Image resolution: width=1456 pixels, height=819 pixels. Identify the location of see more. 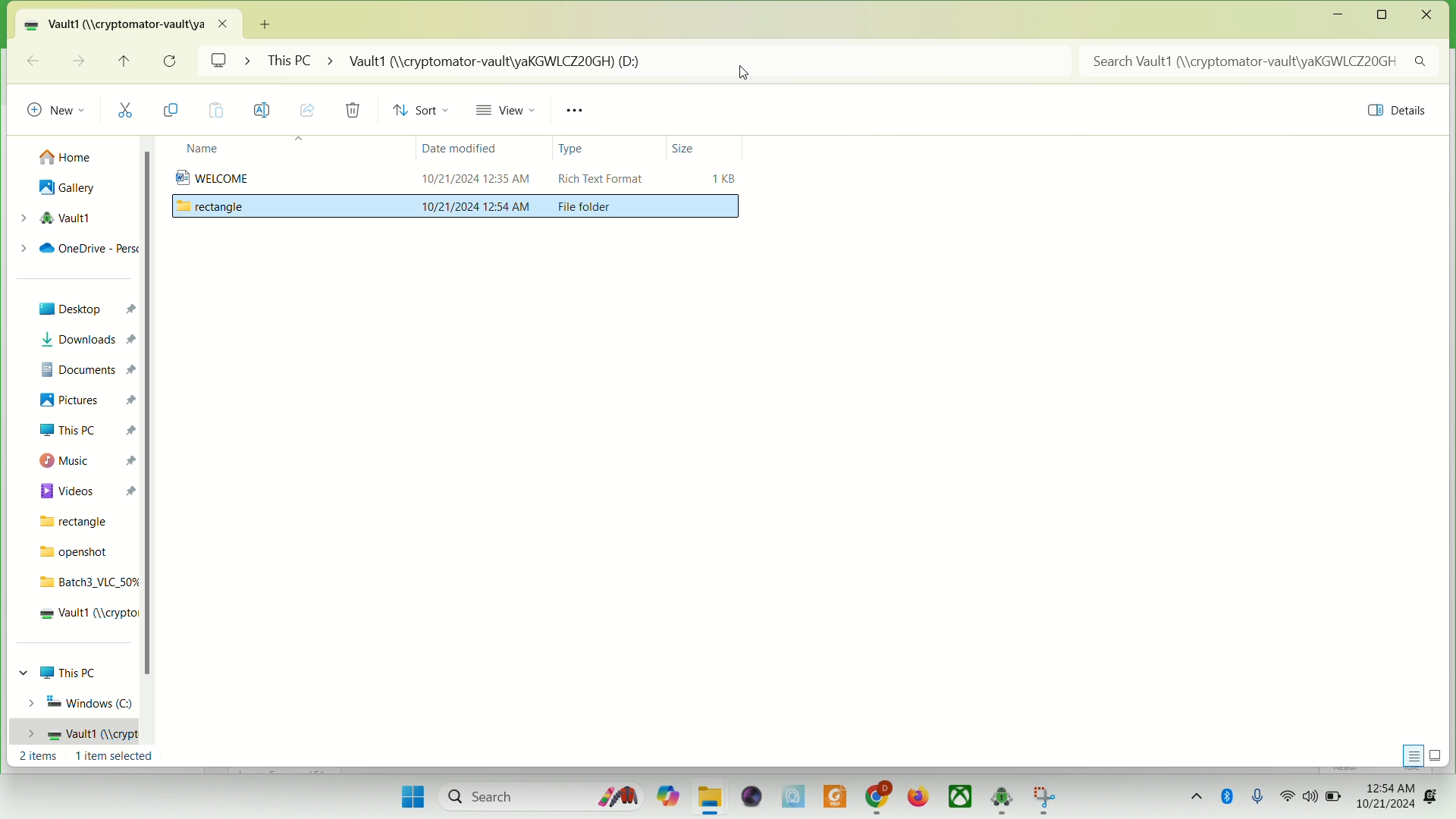
(579, 111).